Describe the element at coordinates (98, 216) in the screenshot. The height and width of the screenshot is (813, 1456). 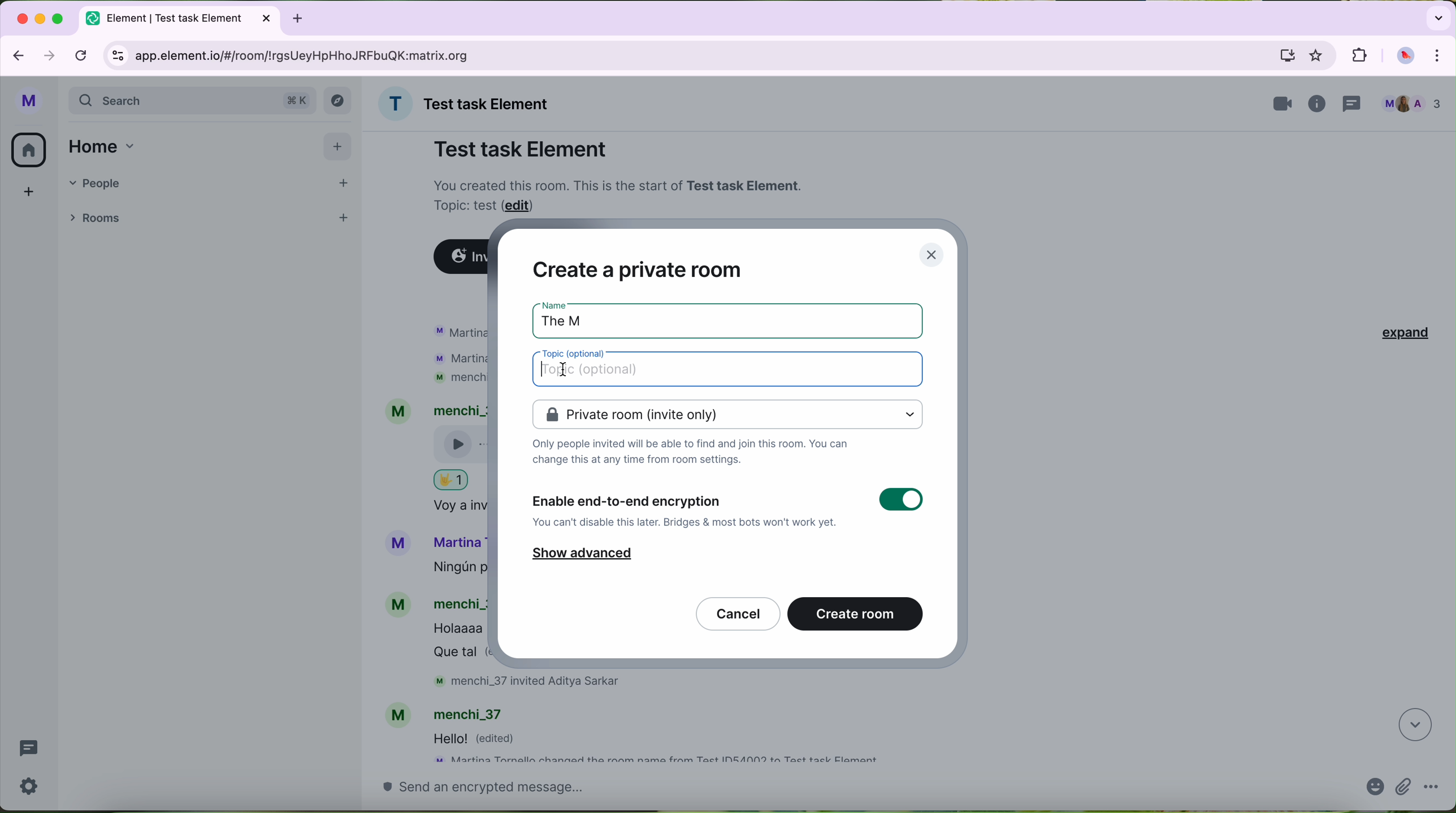
I see `rooms tab` at that location.